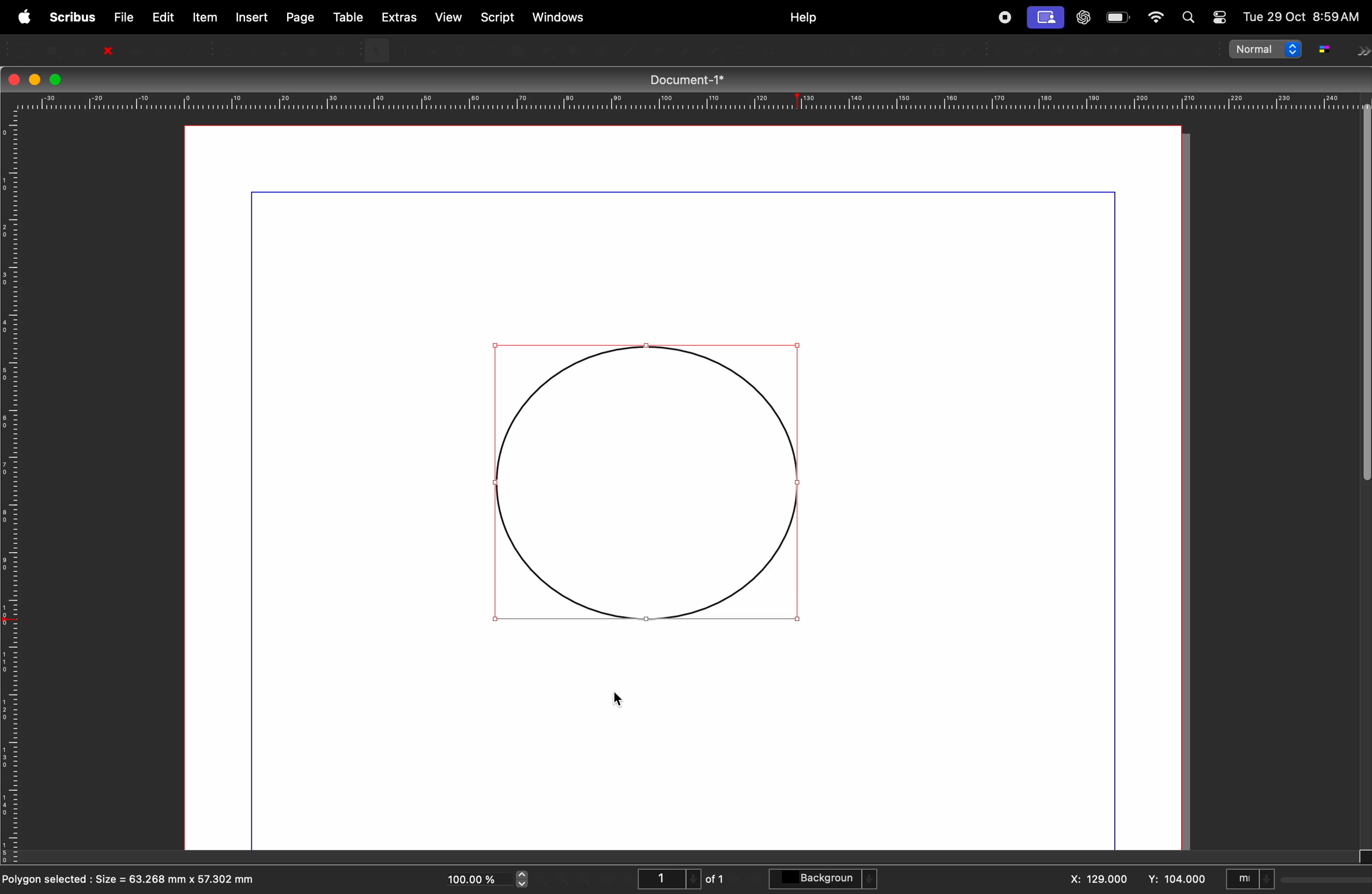  I want to click on save, so click(80, 49).